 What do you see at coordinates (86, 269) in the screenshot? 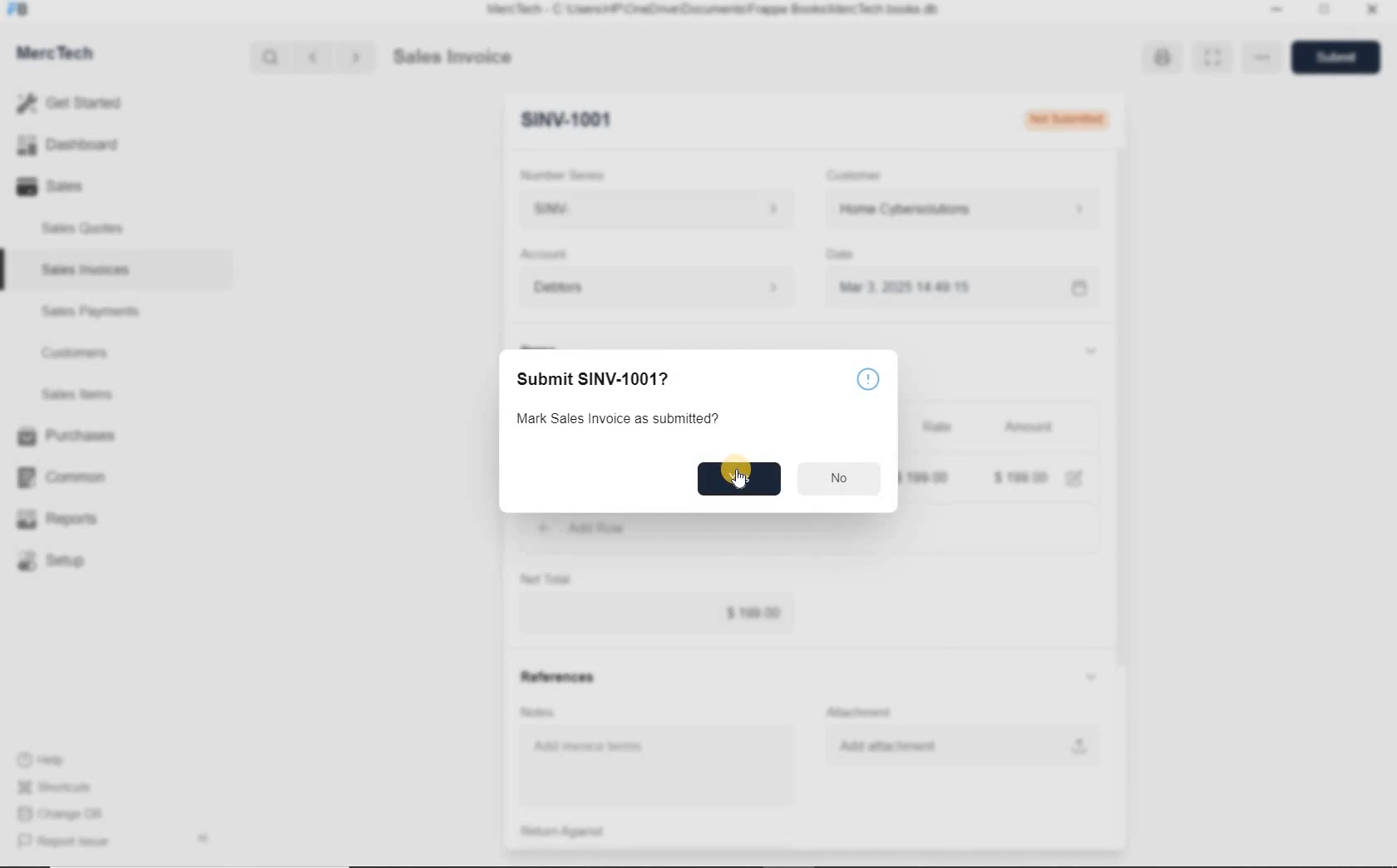
I see `Sales Invoices` at bounding box center [86, 269].